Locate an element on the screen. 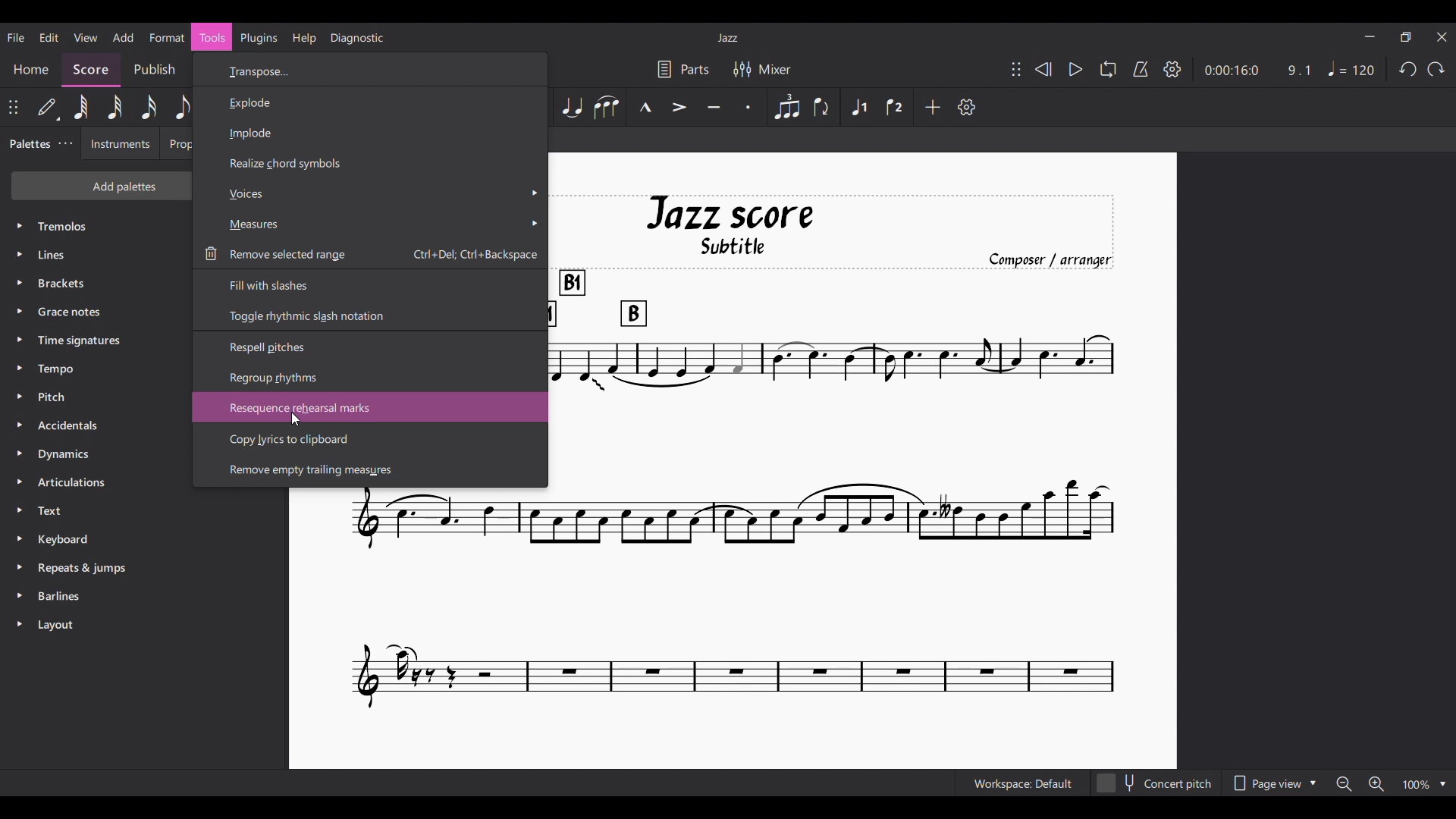 The width and height of the screenshot is (1456, 819). Format menu is located at coordinates (167, 37).